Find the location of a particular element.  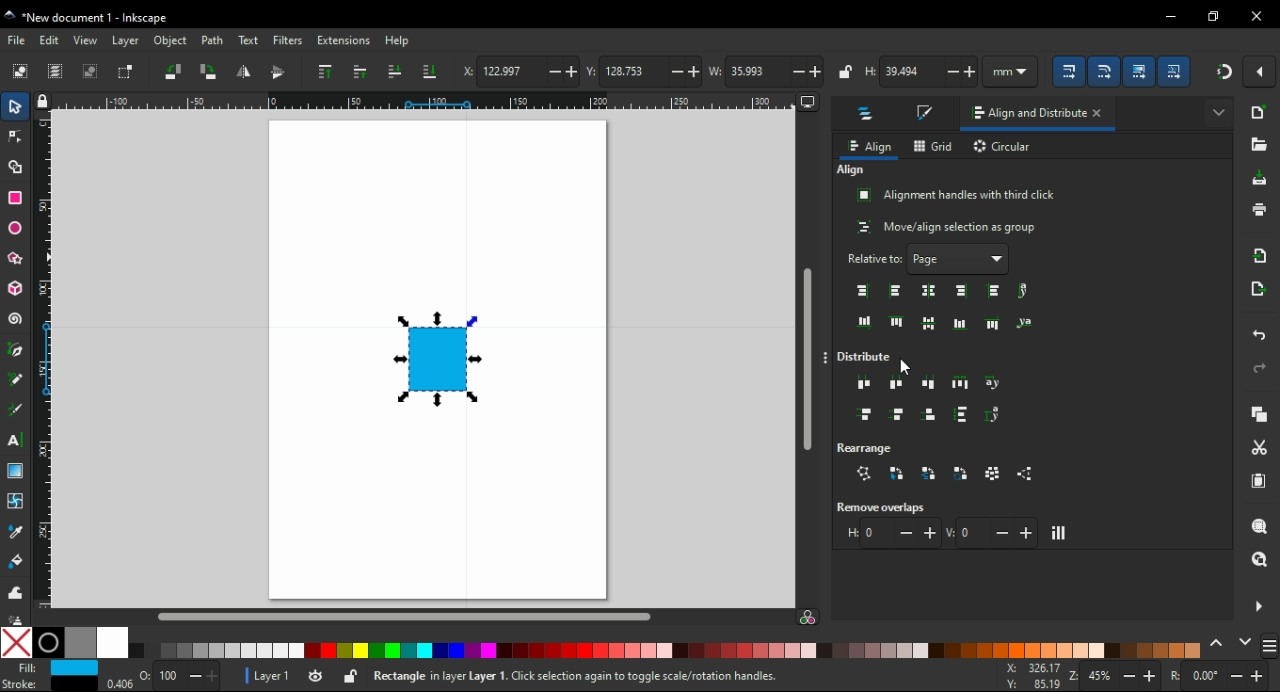

edit is located at coordinates (52, 40).